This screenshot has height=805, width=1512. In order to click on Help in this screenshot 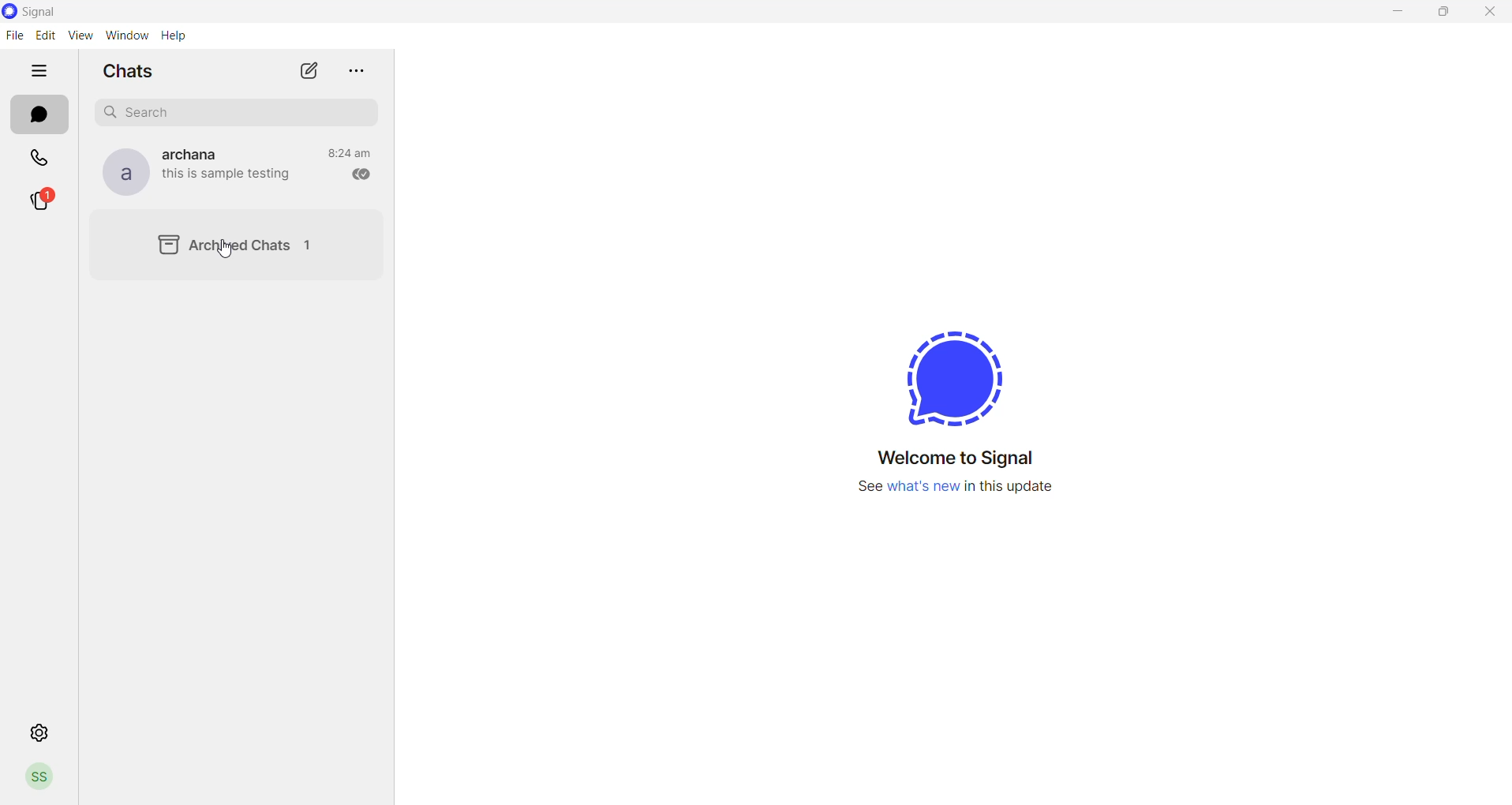, I will do `click(175, 36)`.